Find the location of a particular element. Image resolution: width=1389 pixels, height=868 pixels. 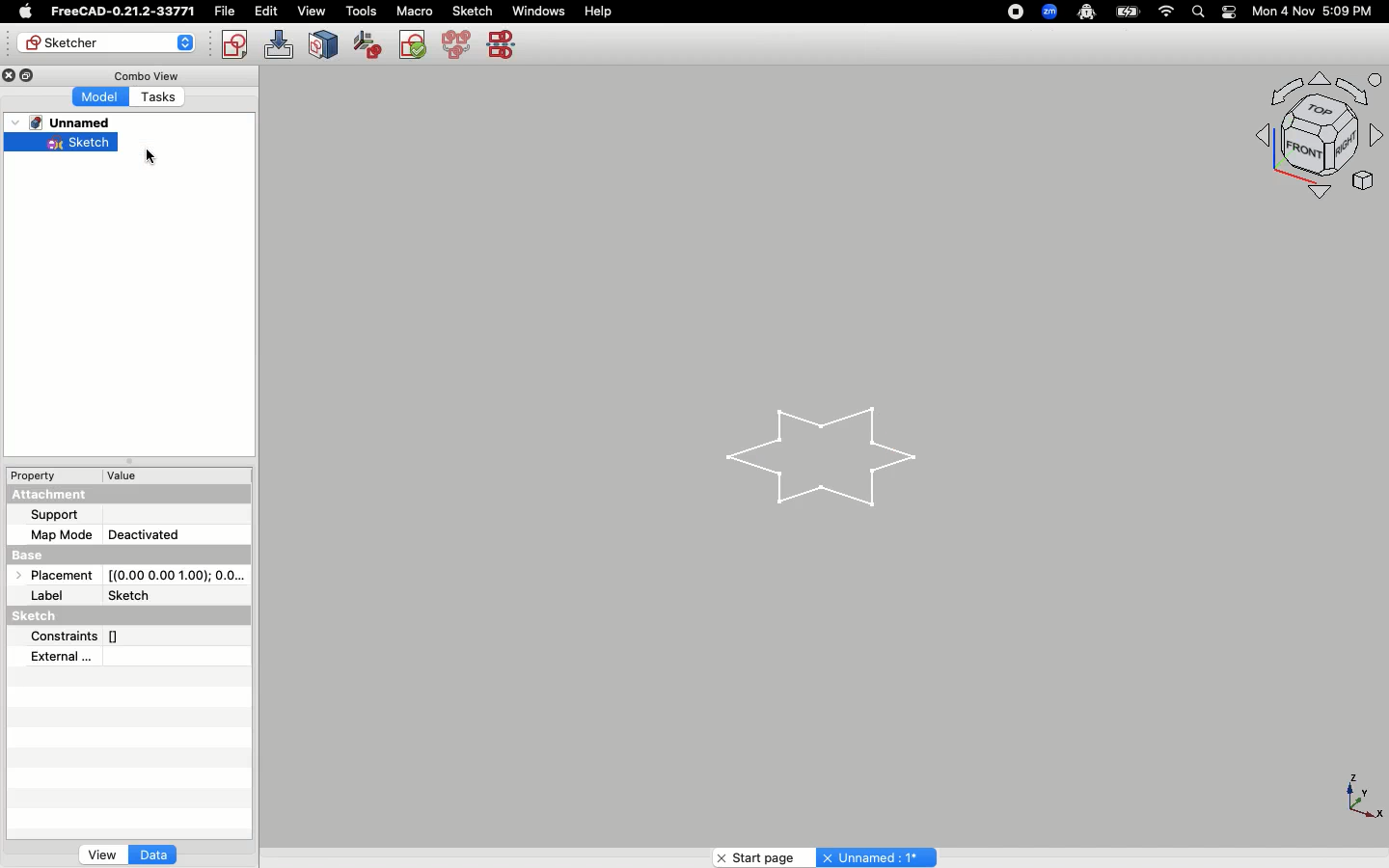

Label is located at coordinates (48, 595).